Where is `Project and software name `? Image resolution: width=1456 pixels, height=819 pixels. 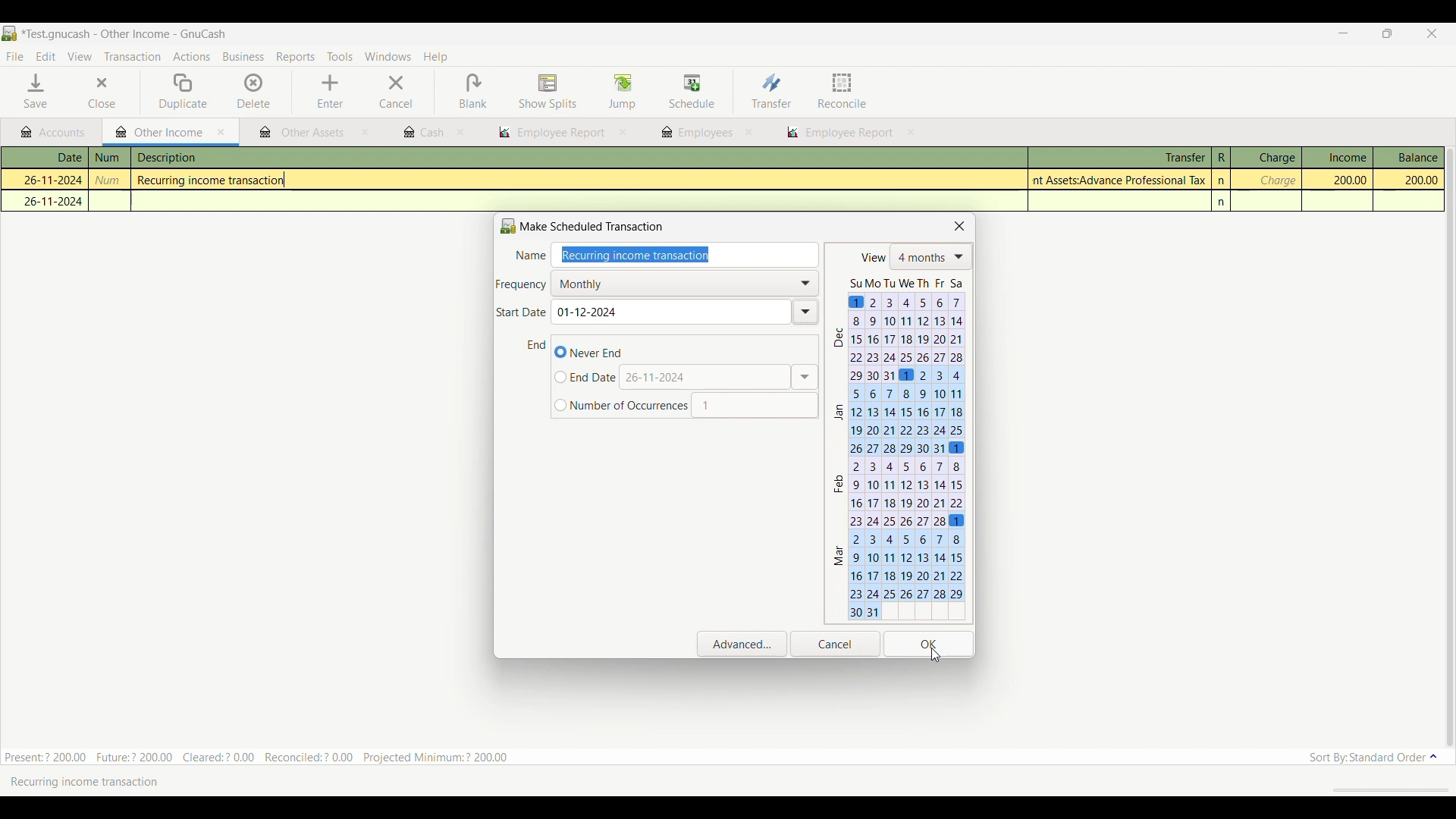 Project and software name  is located at coordinates (124, 35).